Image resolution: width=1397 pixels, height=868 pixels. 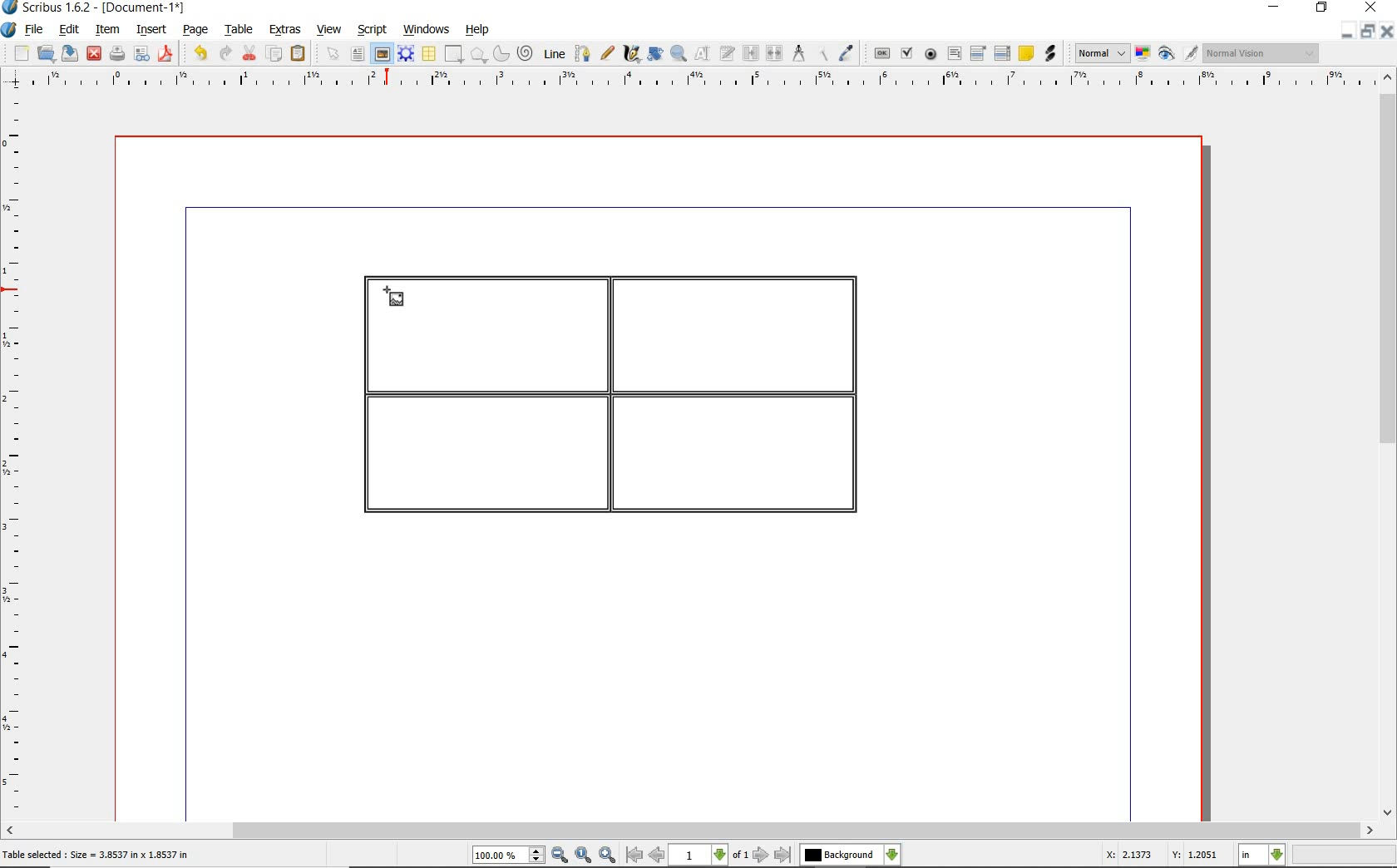 What do you see at coordinates (752, 53) in the screenshot?
I see `link text frames` at bounding box center [752, 53].